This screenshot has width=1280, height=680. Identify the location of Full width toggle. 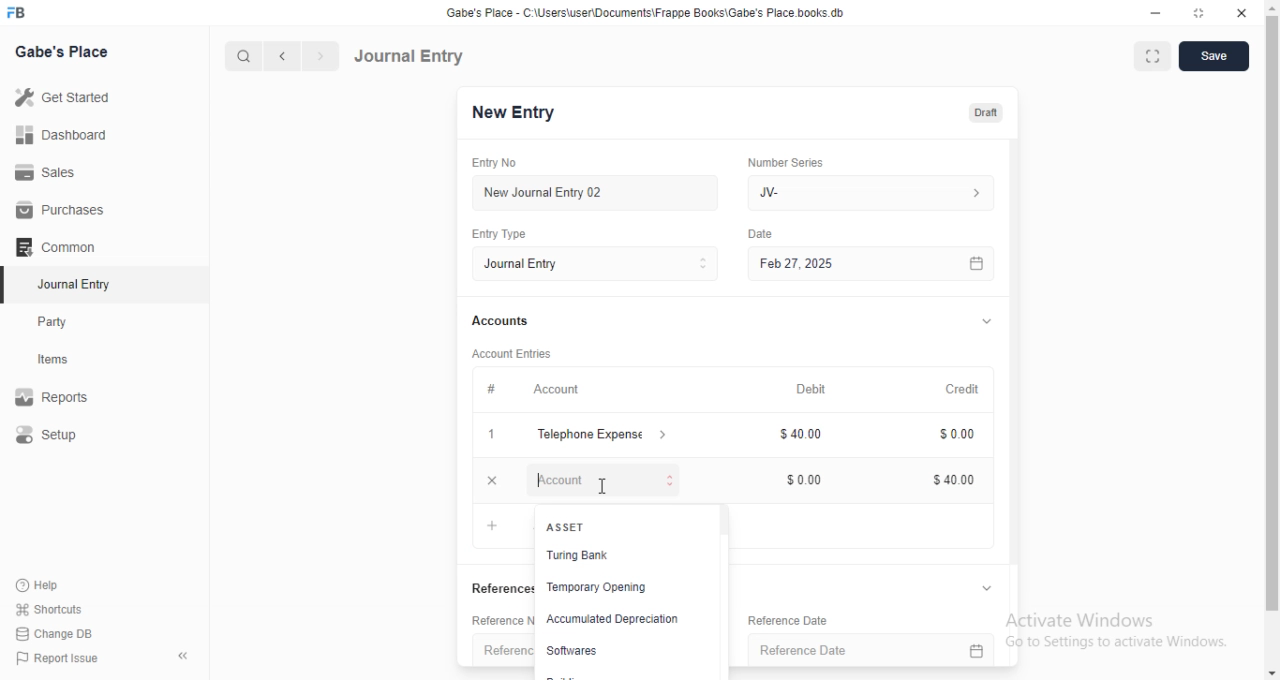
(1151, 56).